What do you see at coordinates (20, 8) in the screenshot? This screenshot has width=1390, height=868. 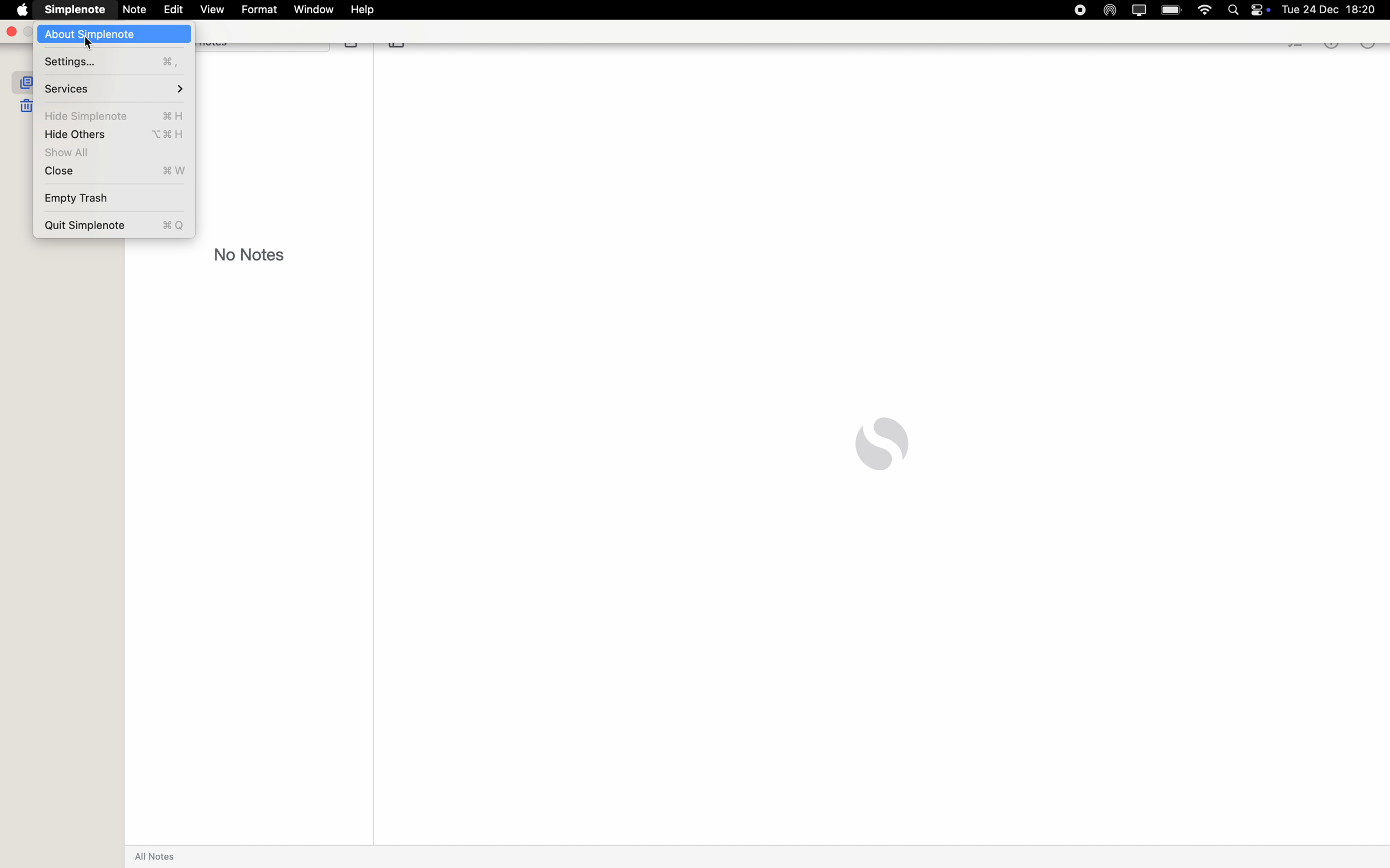 I see `Apple icon` at bounding box center [20, 8].